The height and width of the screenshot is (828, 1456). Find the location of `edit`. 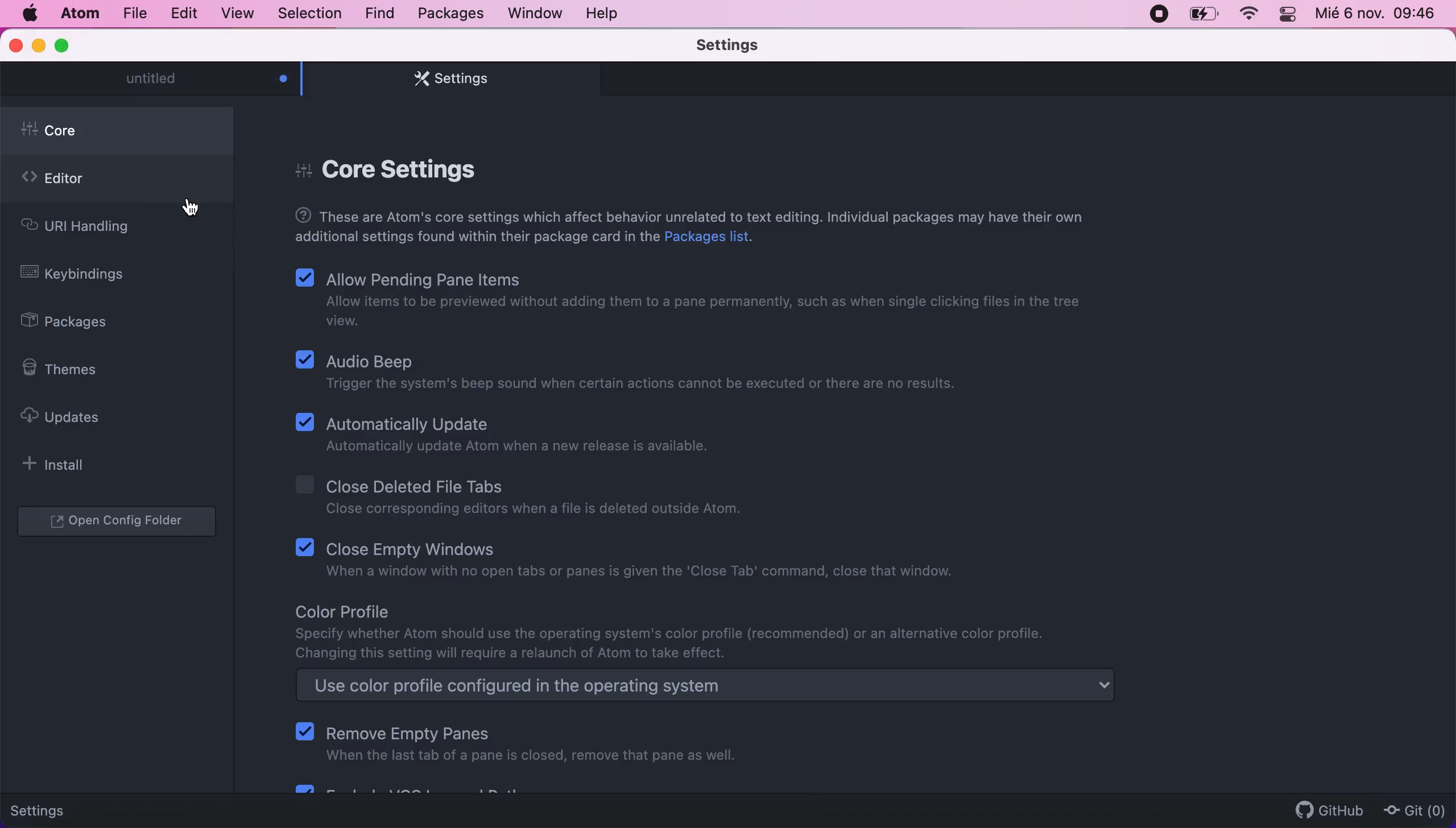

edit is located at coordinates (182, 15).